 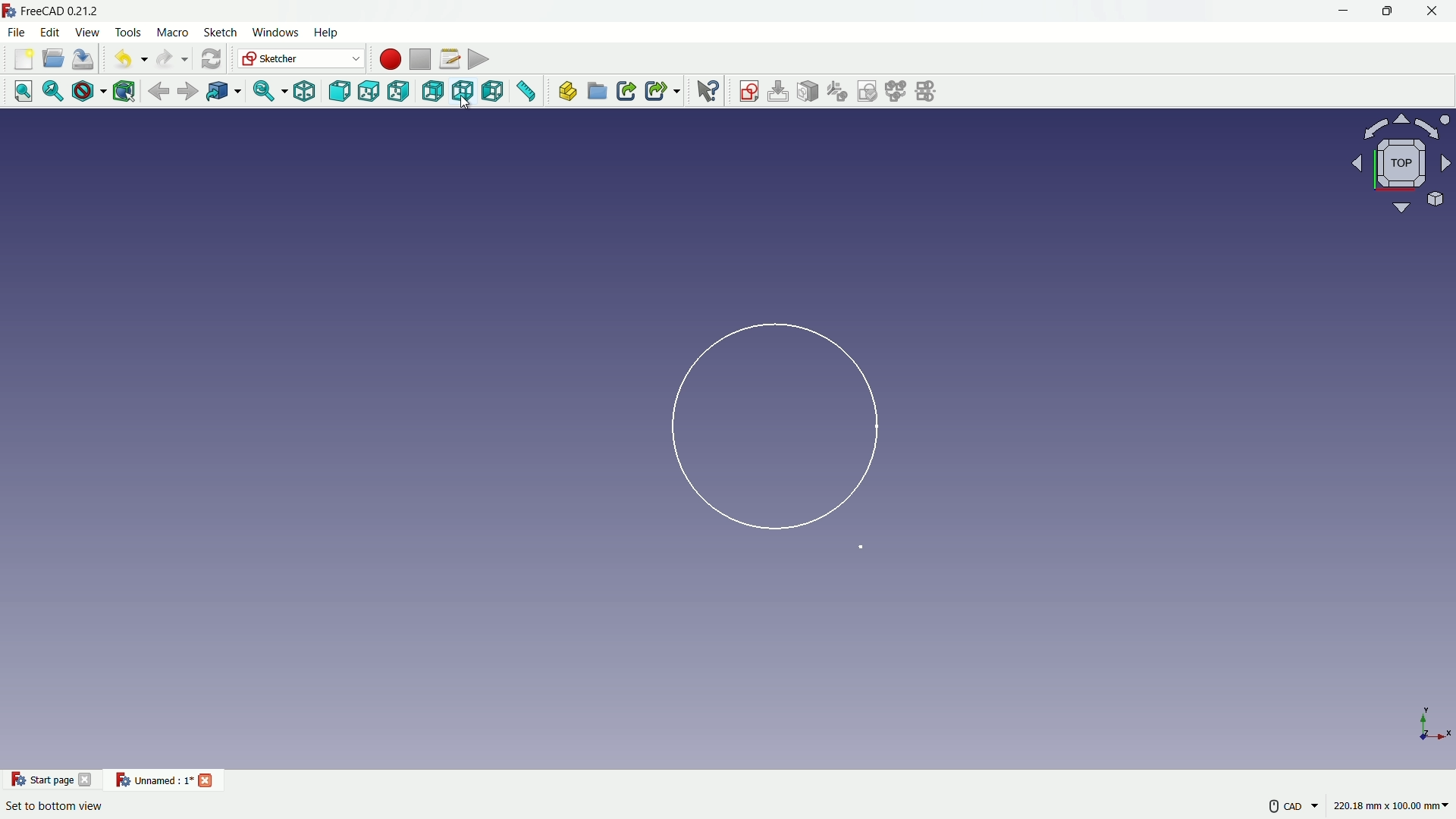 I want to click on mirror sketches, so click(x=929, y=92).